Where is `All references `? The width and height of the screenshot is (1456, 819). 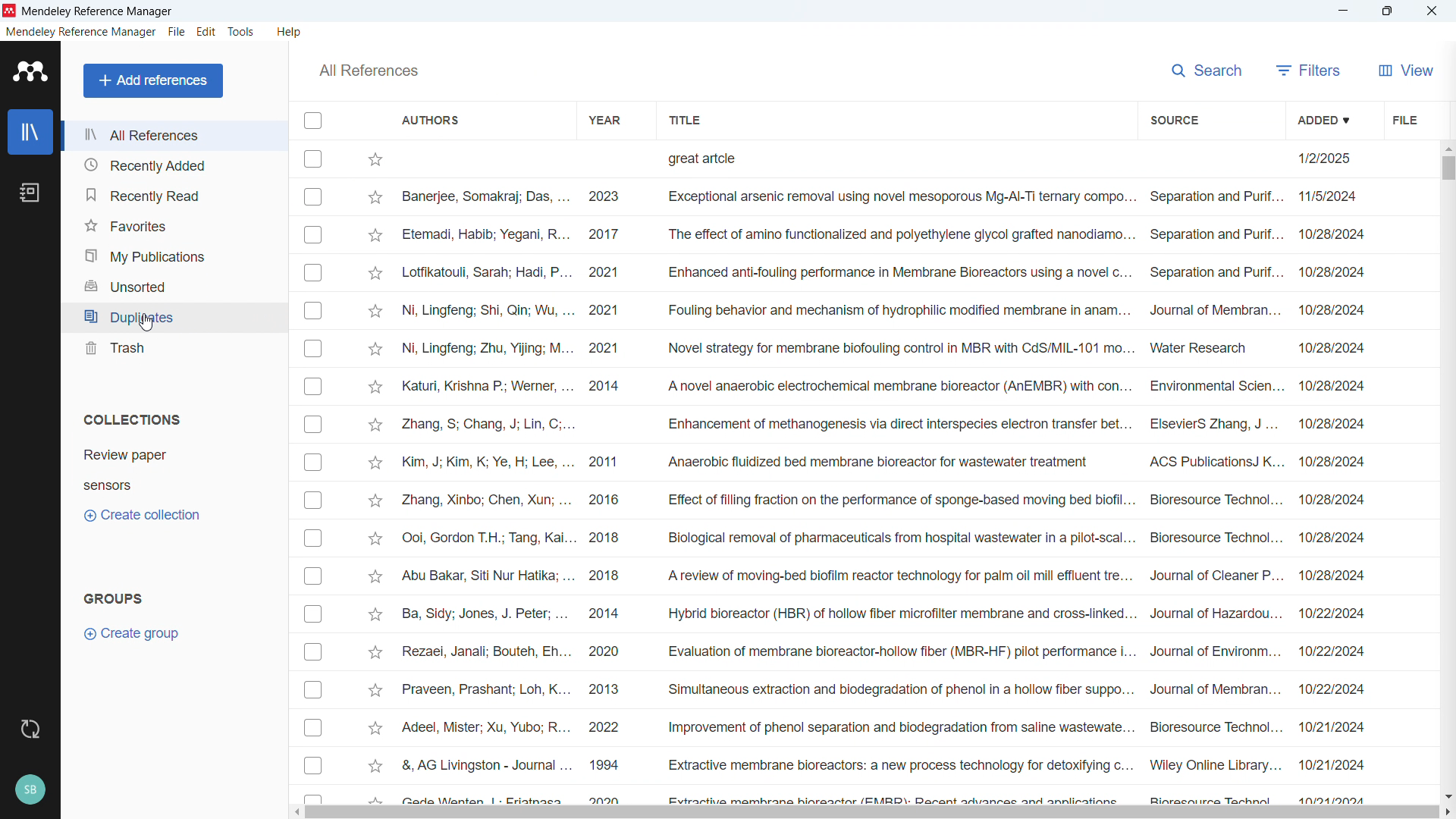 All references  is located at coordinates (174, 136).